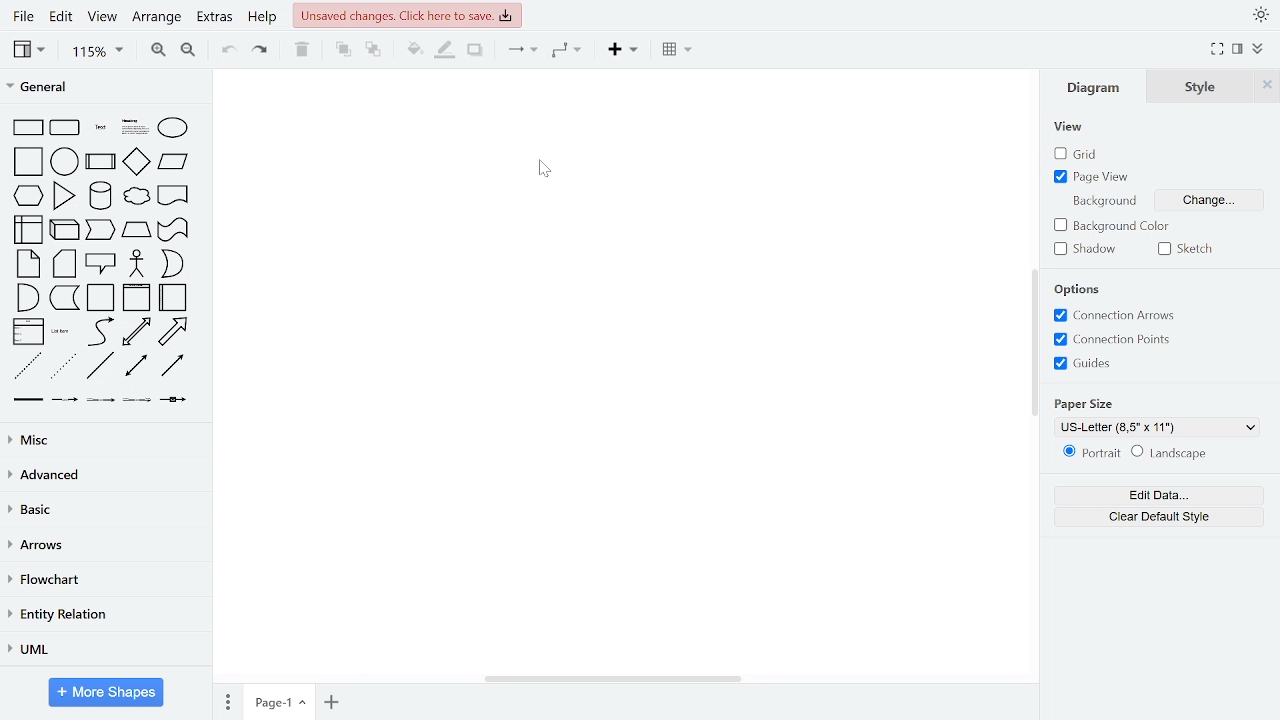 The width and height of the screenshot is (1280, 720). Describe the element at coordinates (302, 50) in the screenshot. I see `delete` at that location.